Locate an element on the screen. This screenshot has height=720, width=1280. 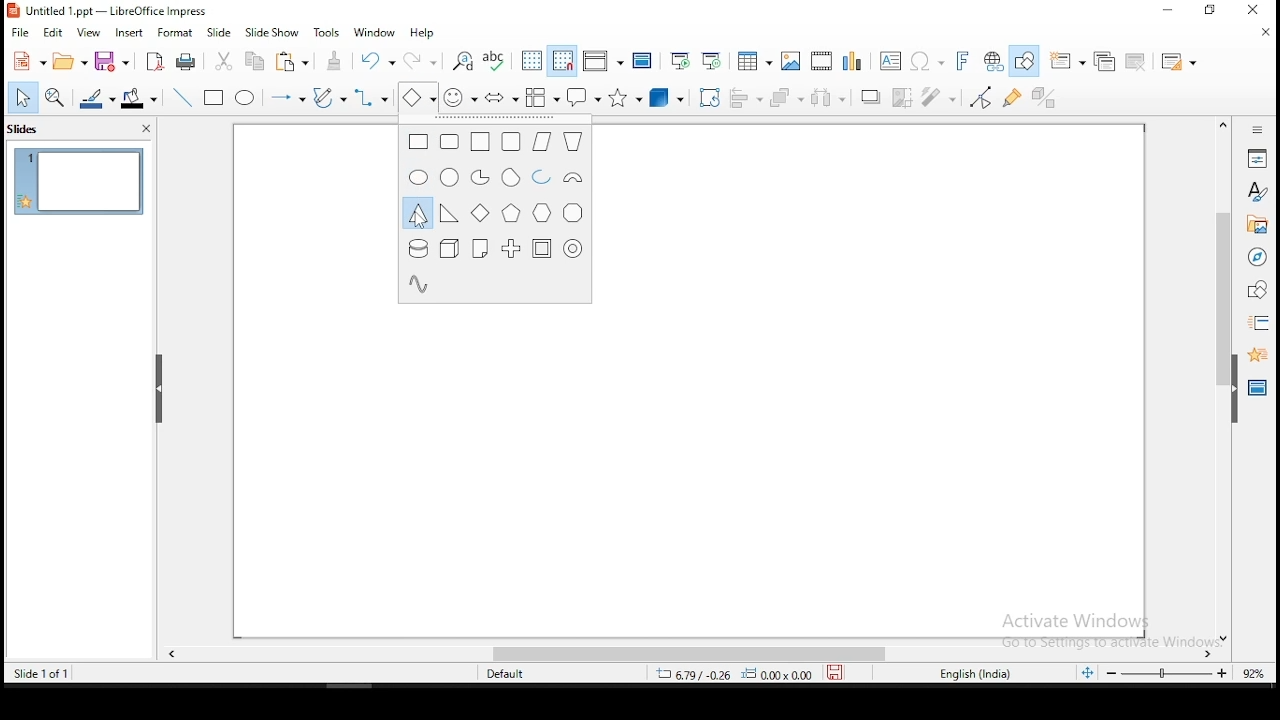
fontwork text is located at coordinates (956, 61).